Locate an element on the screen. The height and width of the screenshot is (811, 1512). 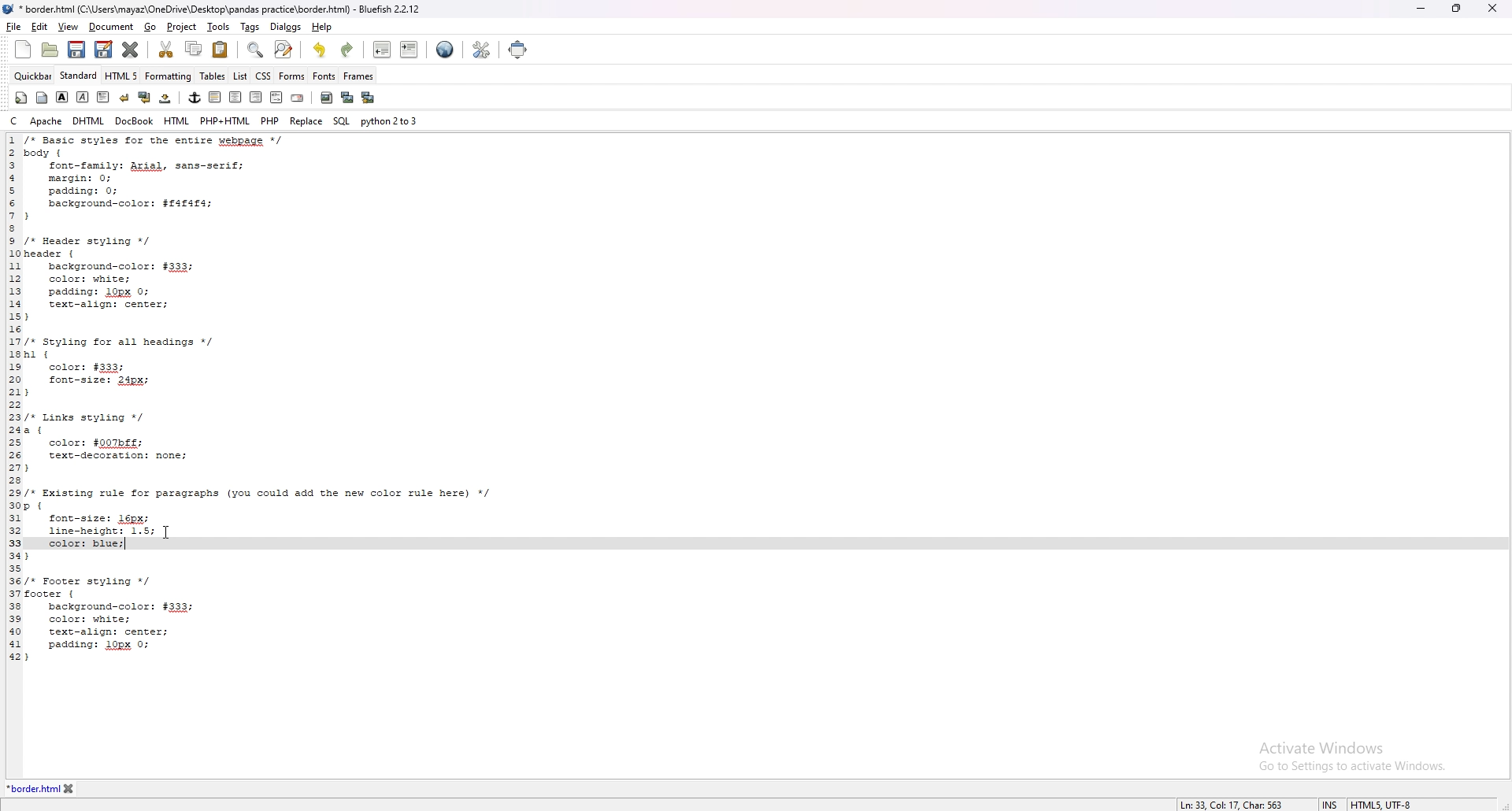
cut is located at coordinates (168, 50).